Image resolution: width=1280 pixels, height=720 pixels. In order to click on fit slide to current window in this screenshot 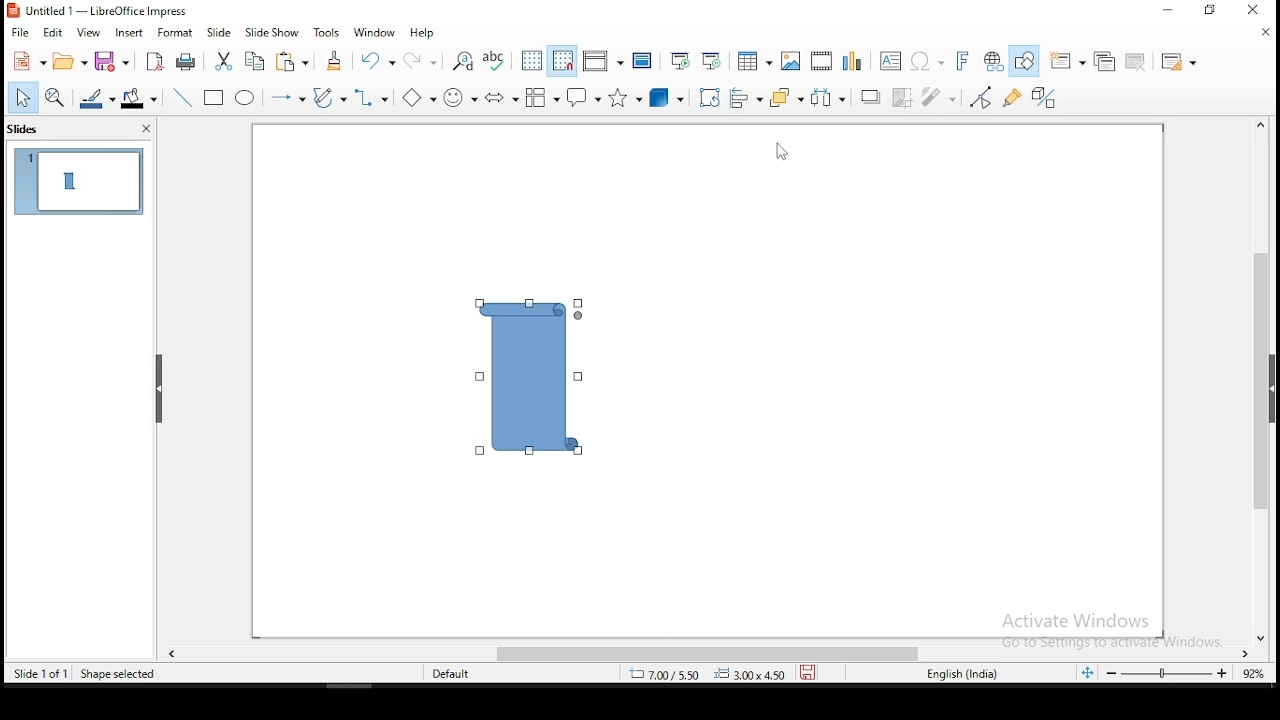, I will do `click(1088, 673)`.